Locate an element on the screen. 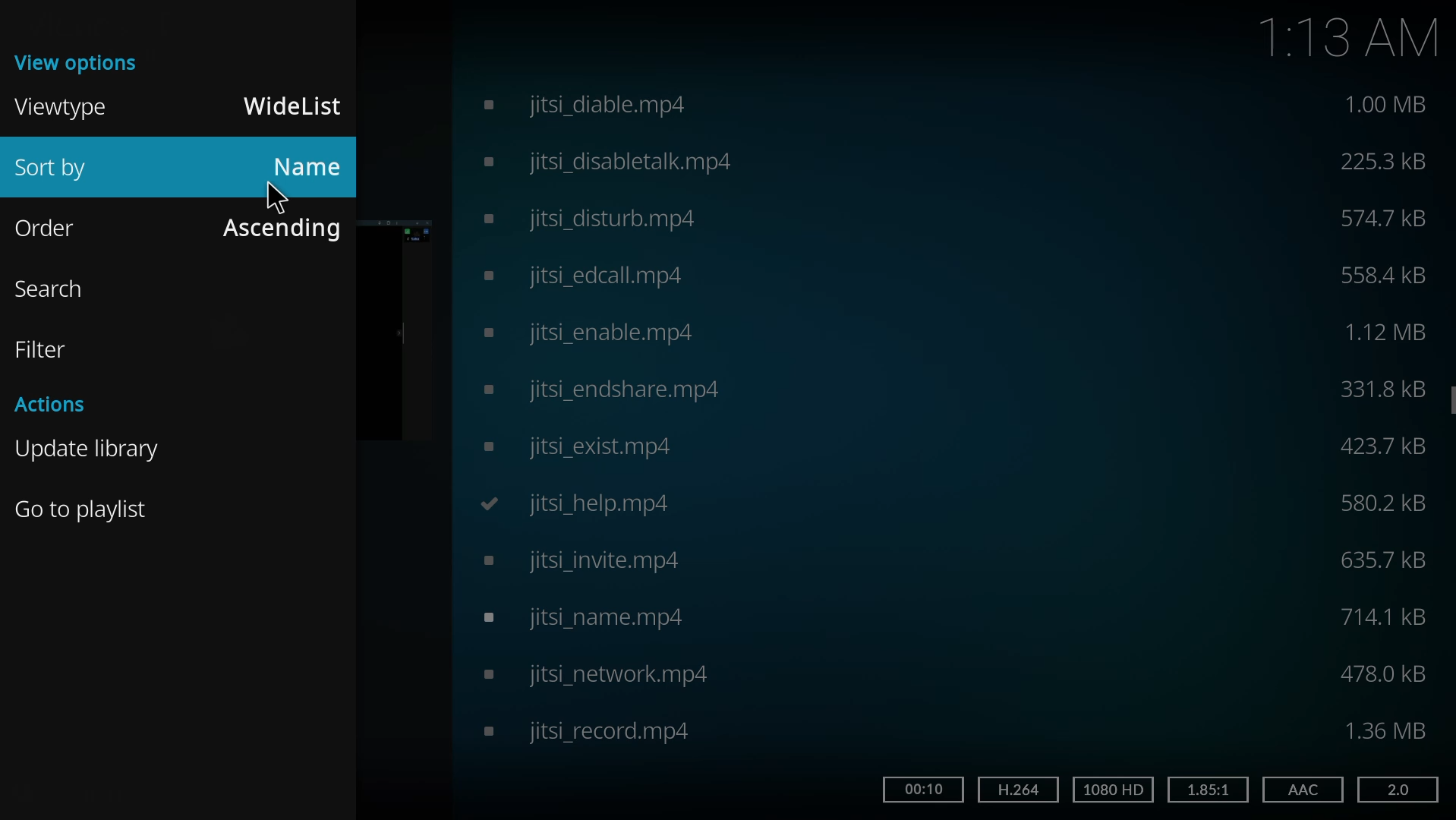  size is located at coordinates (1376, 388).